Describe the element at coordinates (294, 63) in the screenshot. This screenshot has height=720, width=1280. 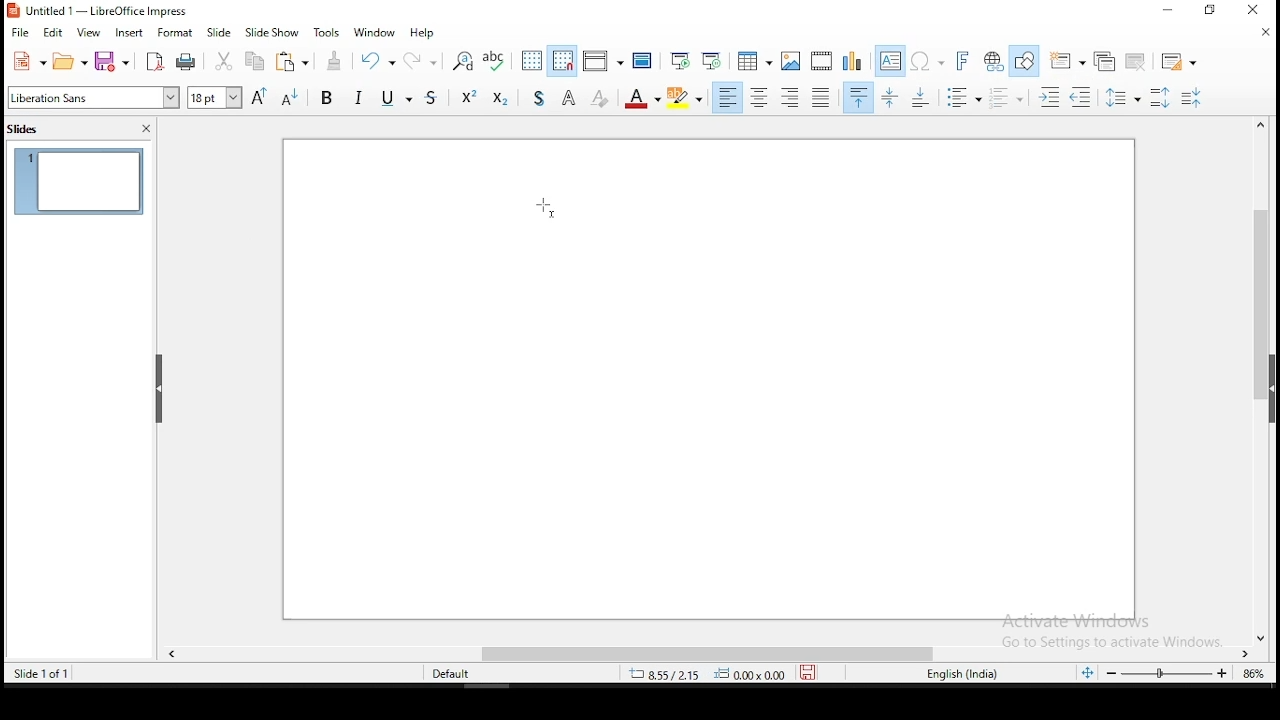
I see `paste` at that location.